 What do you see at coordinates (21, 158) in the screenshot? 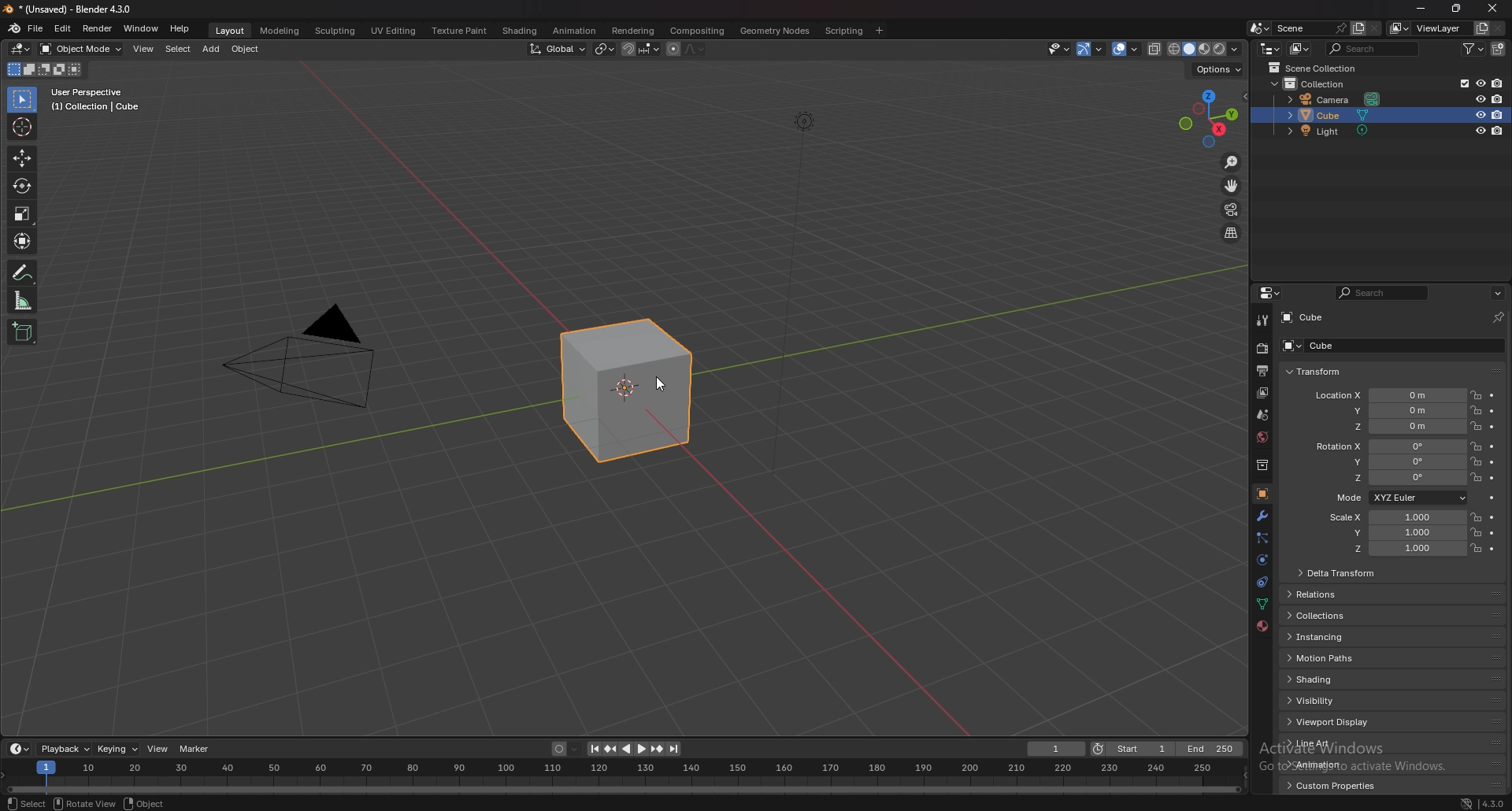
I see `move` at bounding box center [21, 158].